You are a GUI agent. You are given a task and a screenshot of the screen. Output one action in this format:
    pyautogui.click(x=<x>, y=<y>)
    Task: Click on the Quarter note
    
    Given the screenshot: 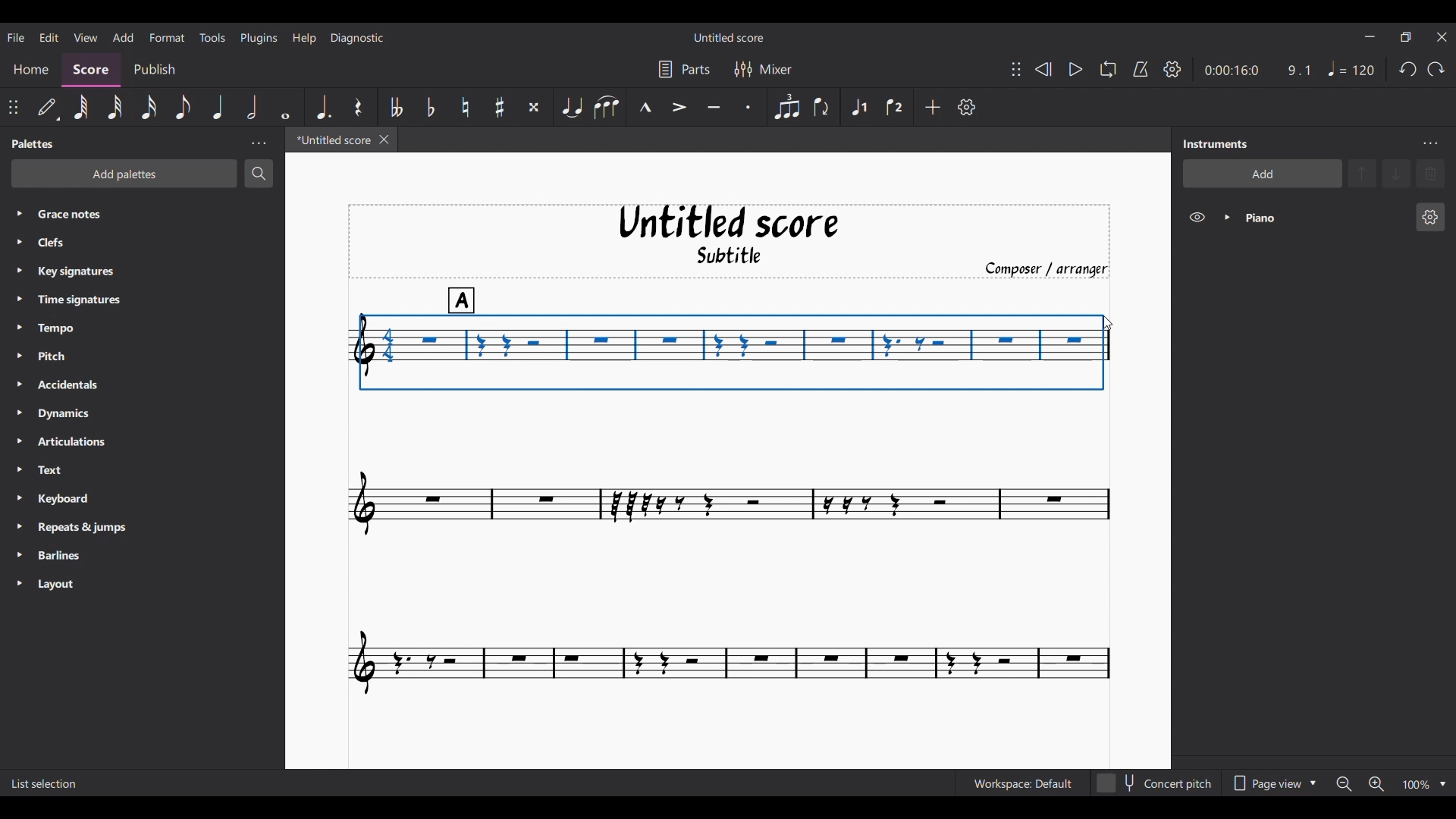 What is the action you would take?
    pyautogui.click(x=218, y=107)
    